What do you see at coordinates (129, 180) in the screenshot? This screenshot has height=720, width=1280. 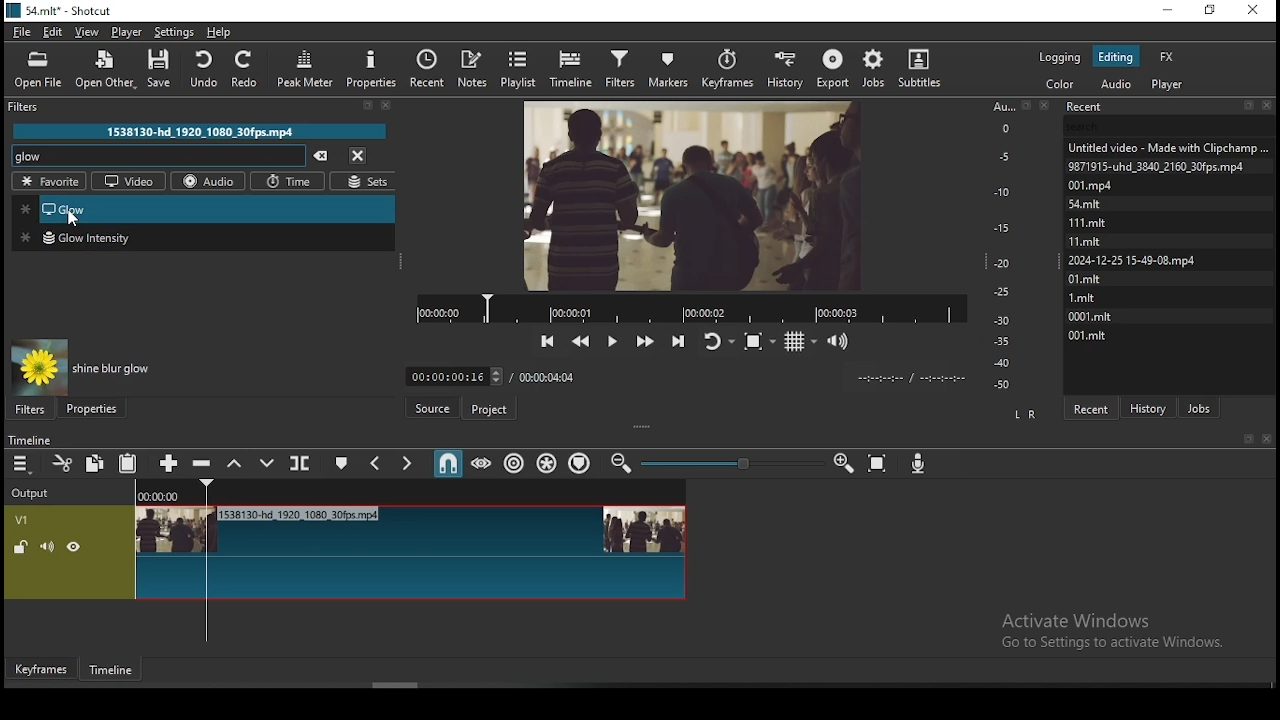 I see `video` at bounding box center [129, 180].